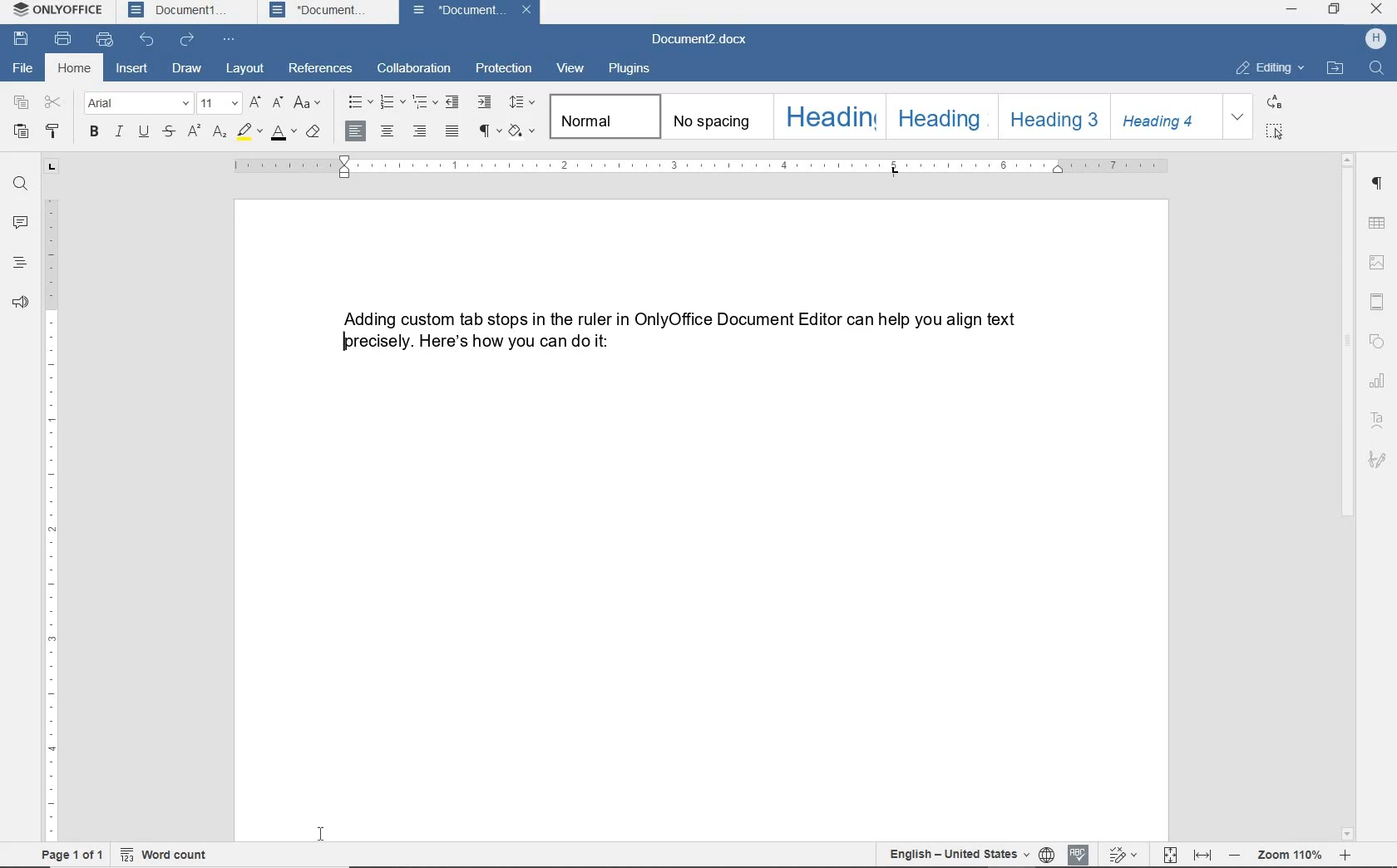 This screenshot has height=868, width=1397. I want to click on minimize, so click(1291, 8).